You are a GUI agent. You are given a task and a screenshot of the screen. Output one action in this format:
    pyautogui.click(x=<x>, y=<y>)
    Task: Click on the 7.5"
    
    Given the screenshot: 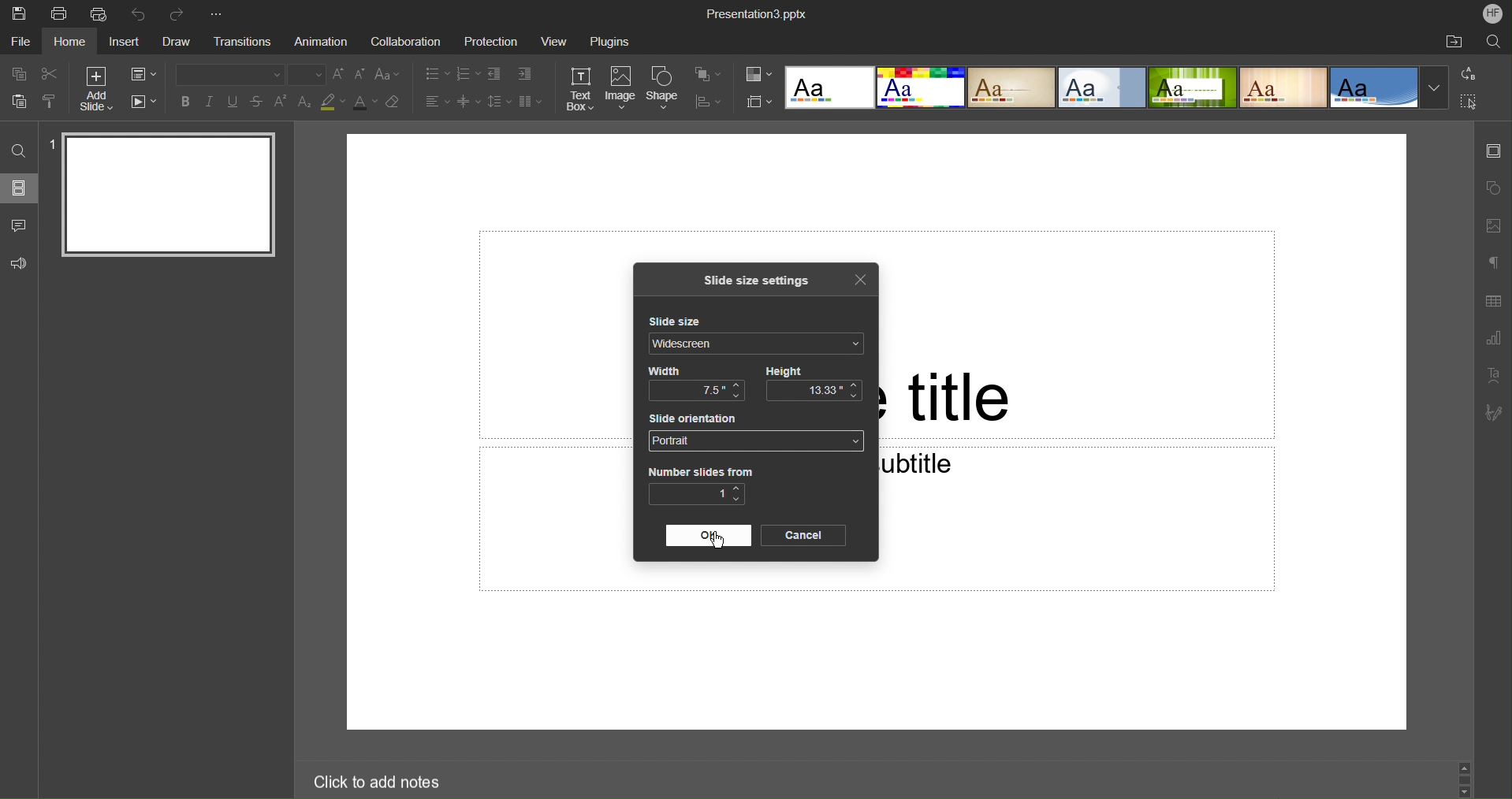 What is the action you would take?
    pyautogui.click(x=697, y=392)
    